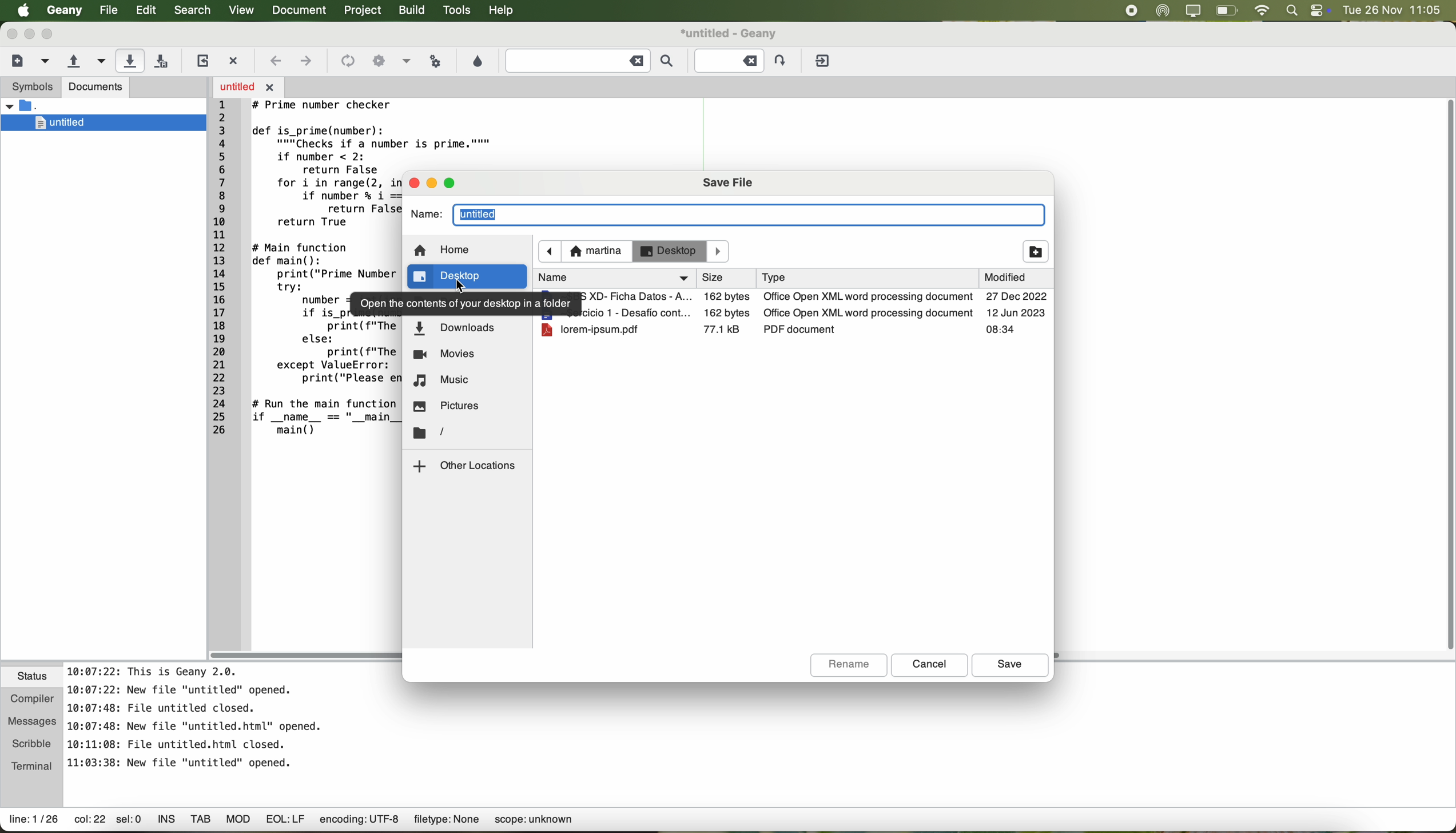 The width and height of the screenshot is (1456, 833). I want to click on size, so click(936, 277).